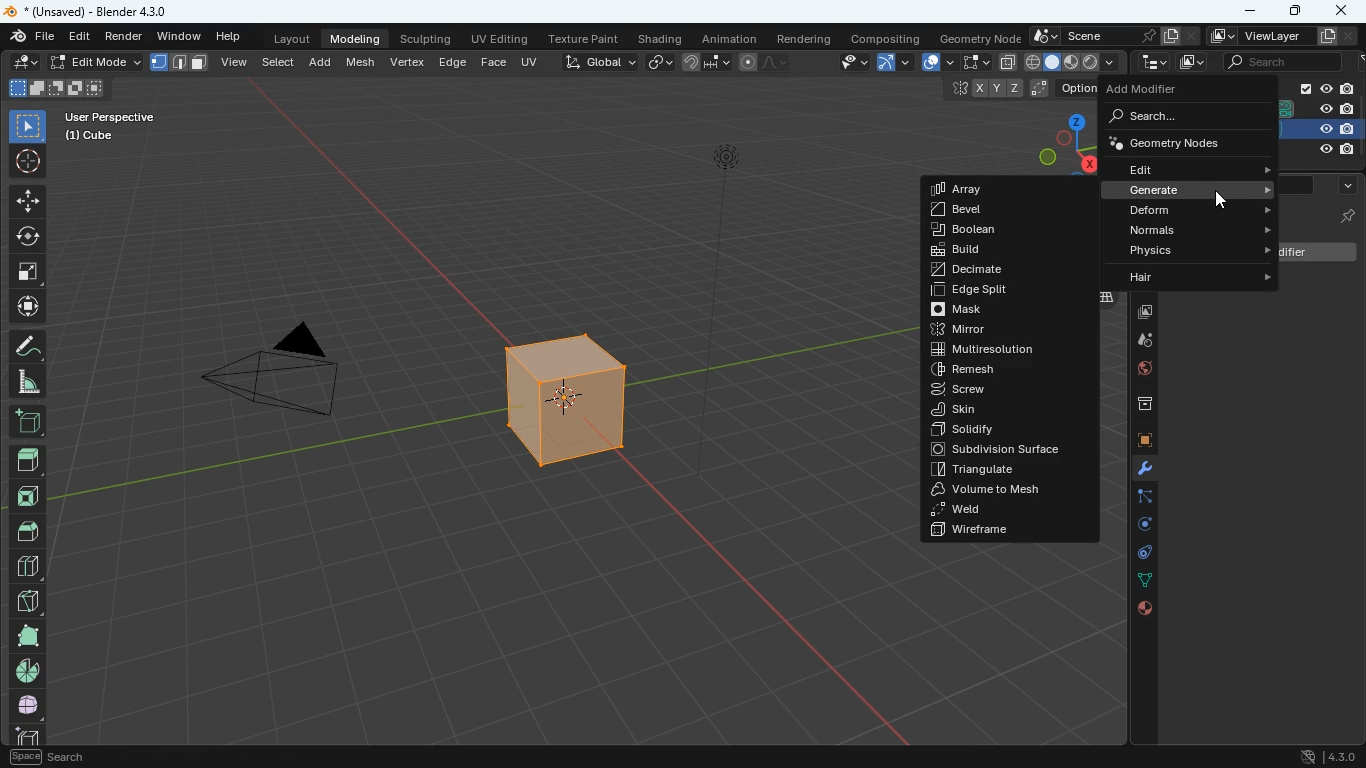 This screenshot has height=768, width=1366. What do you see at coordinates (1347, 186) in the screenshot?
I see `more` at bounding box center [1347, 186].